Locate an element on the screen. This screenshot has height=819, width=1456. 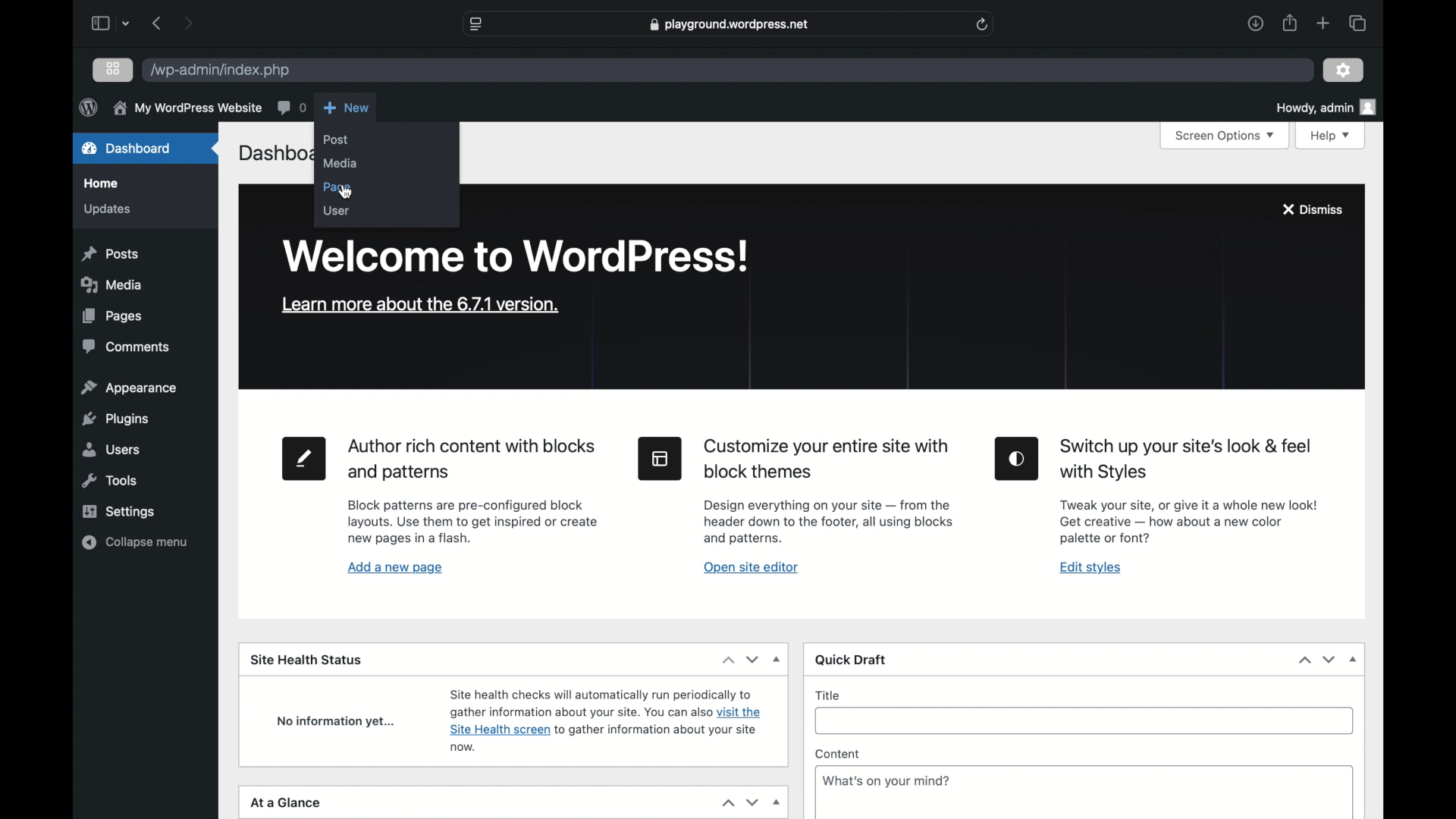
dismiss is located at coordinates (1313, 209).